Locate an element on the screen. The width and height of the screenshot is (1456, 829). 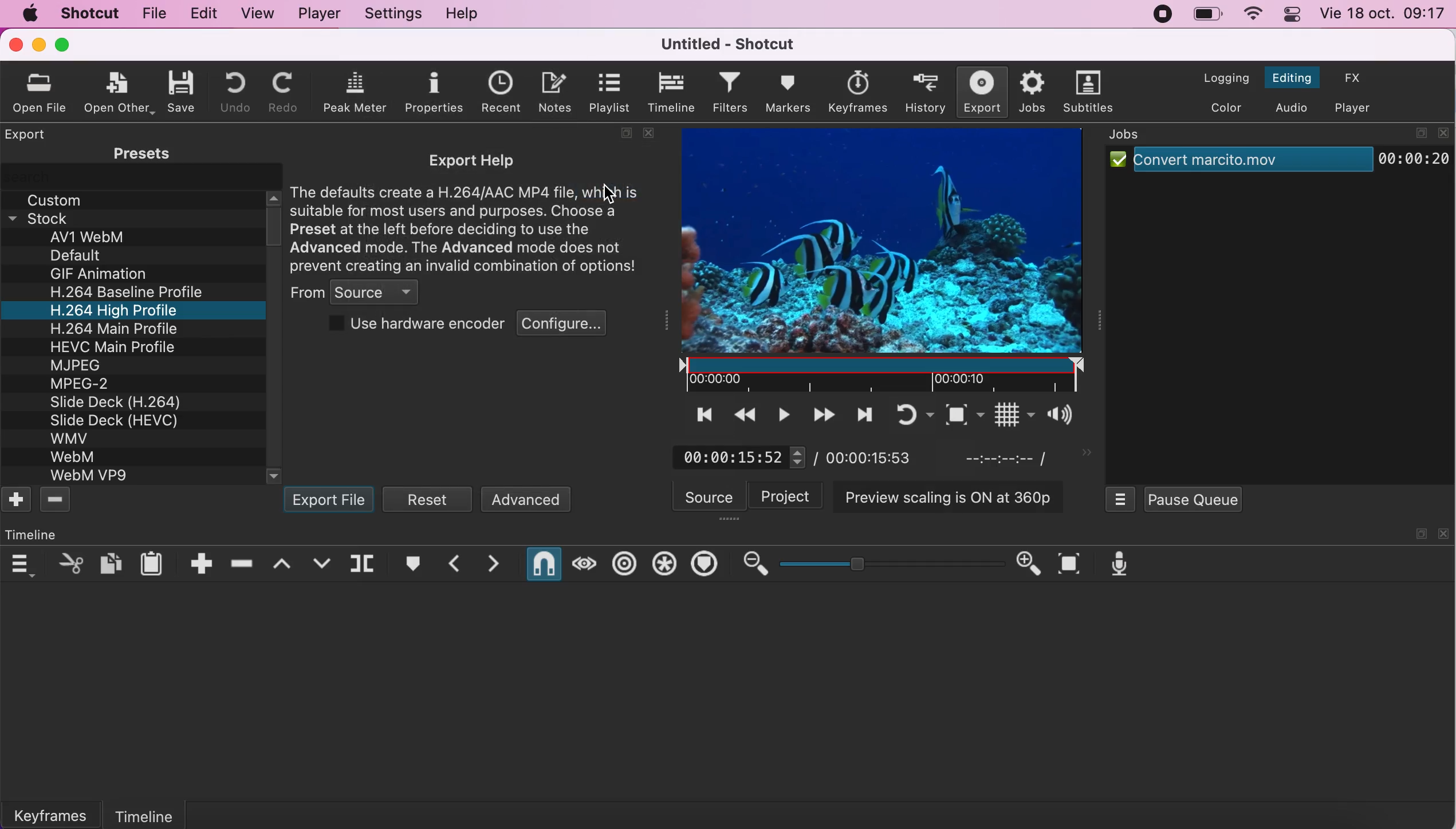
export is located at coordinates (978, 92).